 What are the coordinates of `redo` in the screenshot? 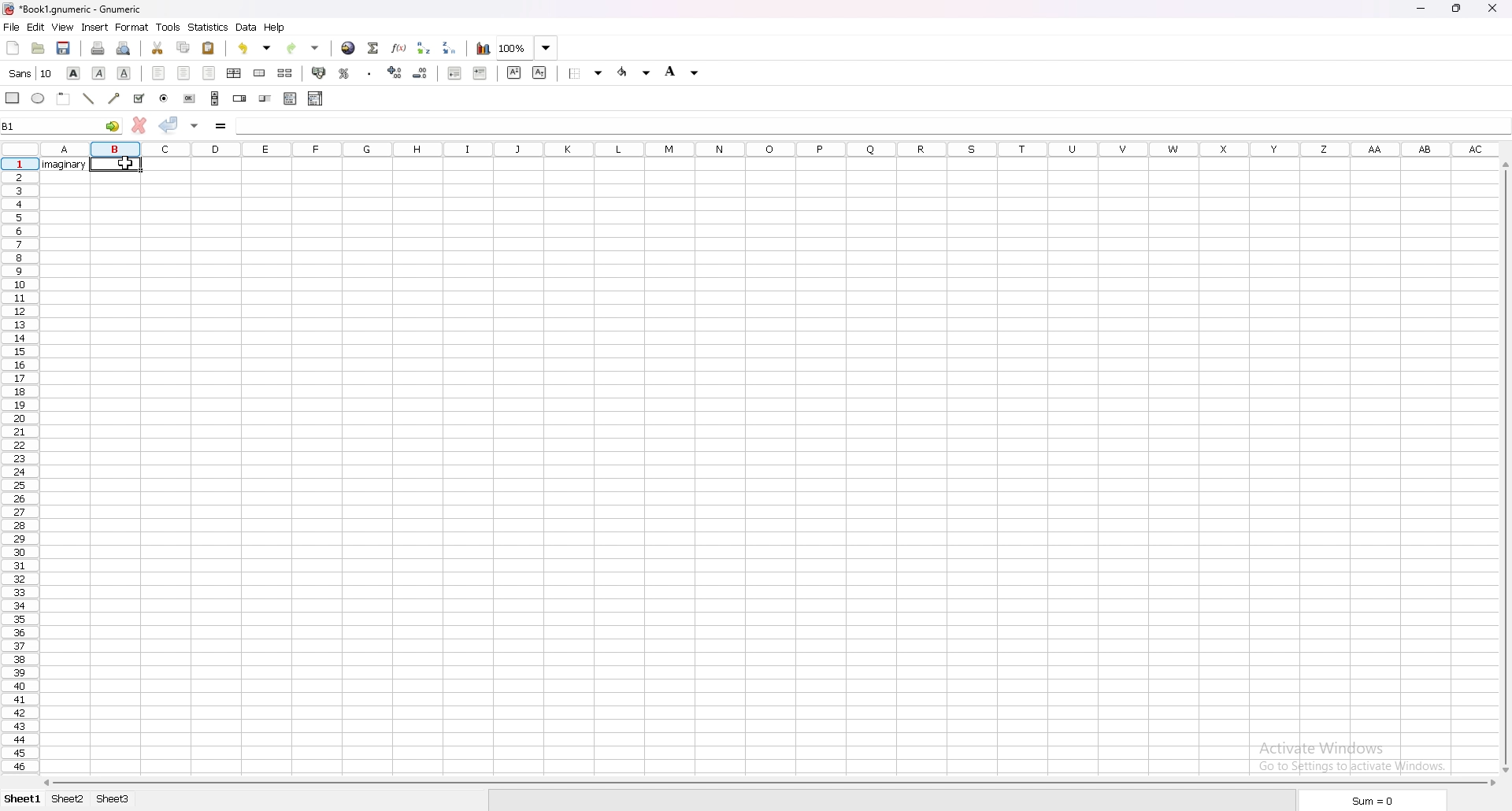 It's located at (302, 49).